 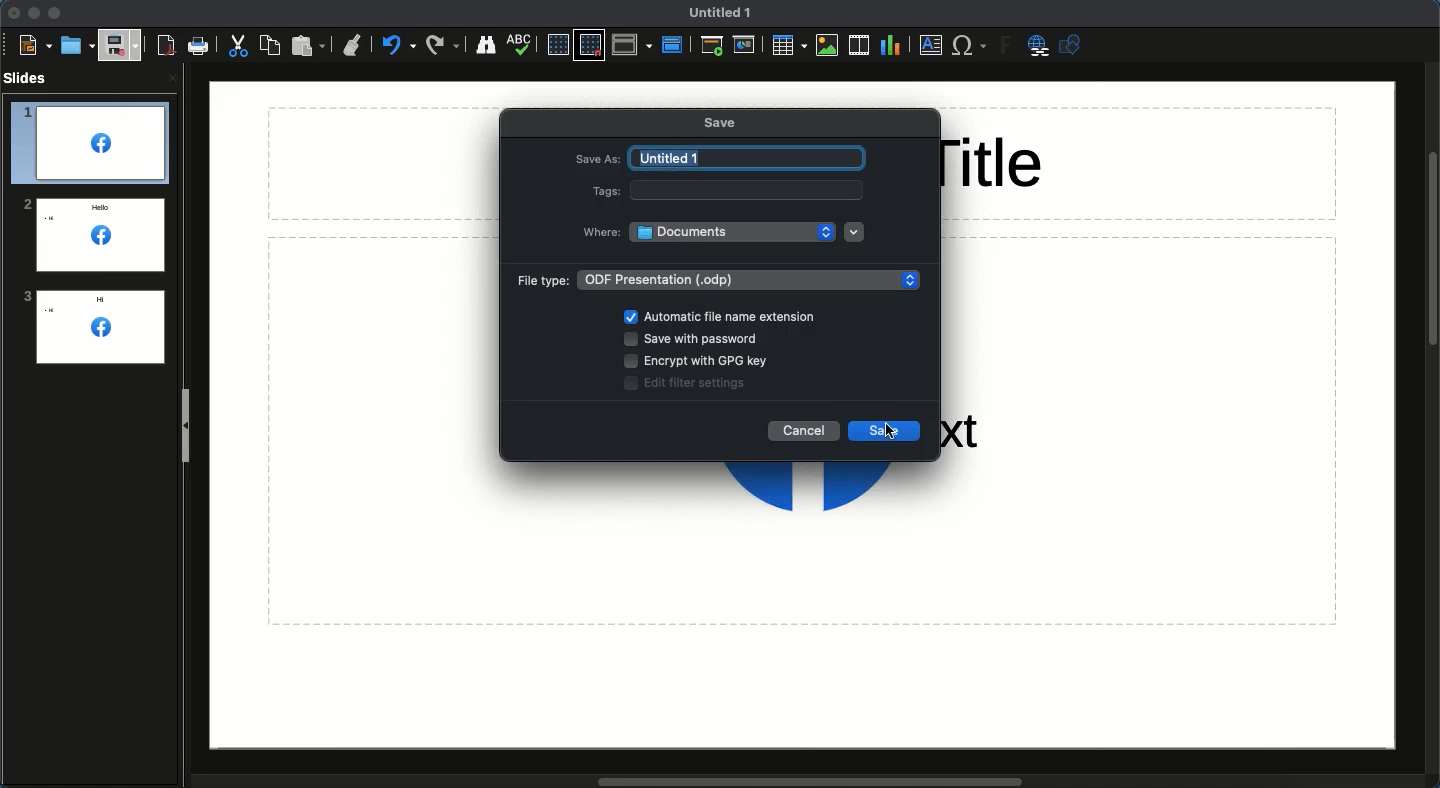 I want to click on Textbox, so click(x=929, y=46).